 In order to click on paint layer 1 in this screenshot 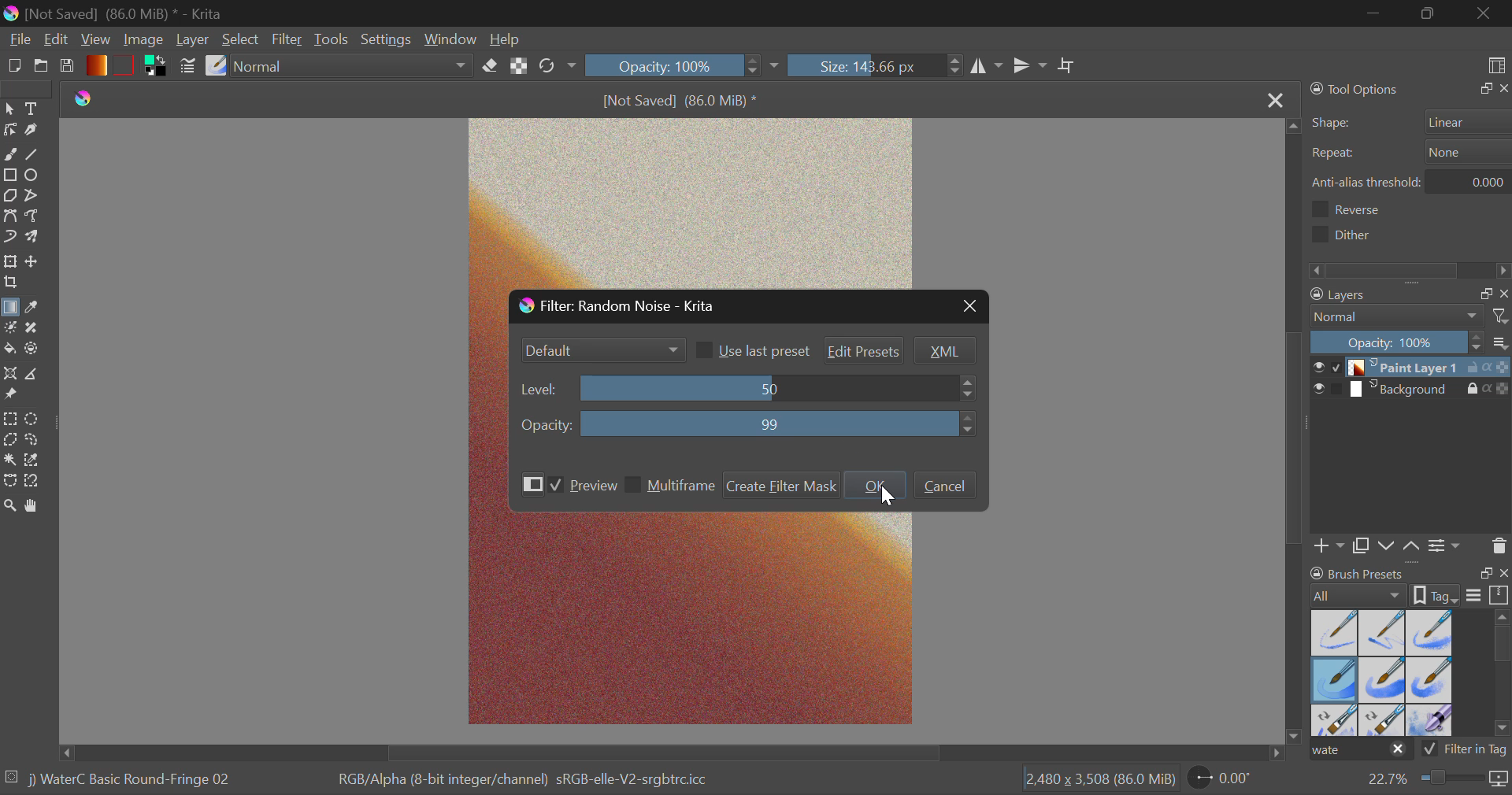, I will do `click(1407, 368)`.